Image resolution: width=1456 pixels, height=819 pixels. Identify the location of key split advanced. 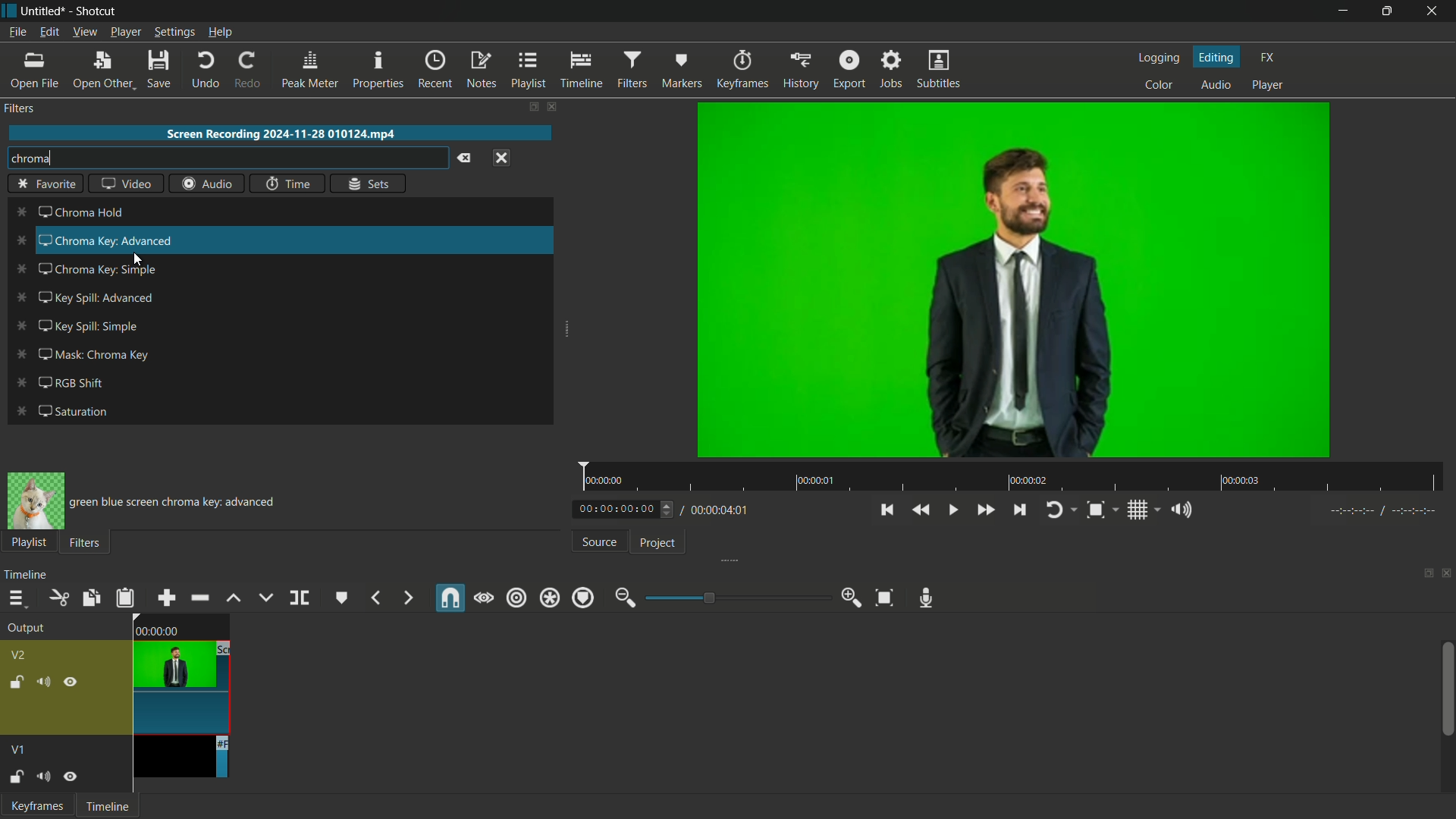
(92, 296).